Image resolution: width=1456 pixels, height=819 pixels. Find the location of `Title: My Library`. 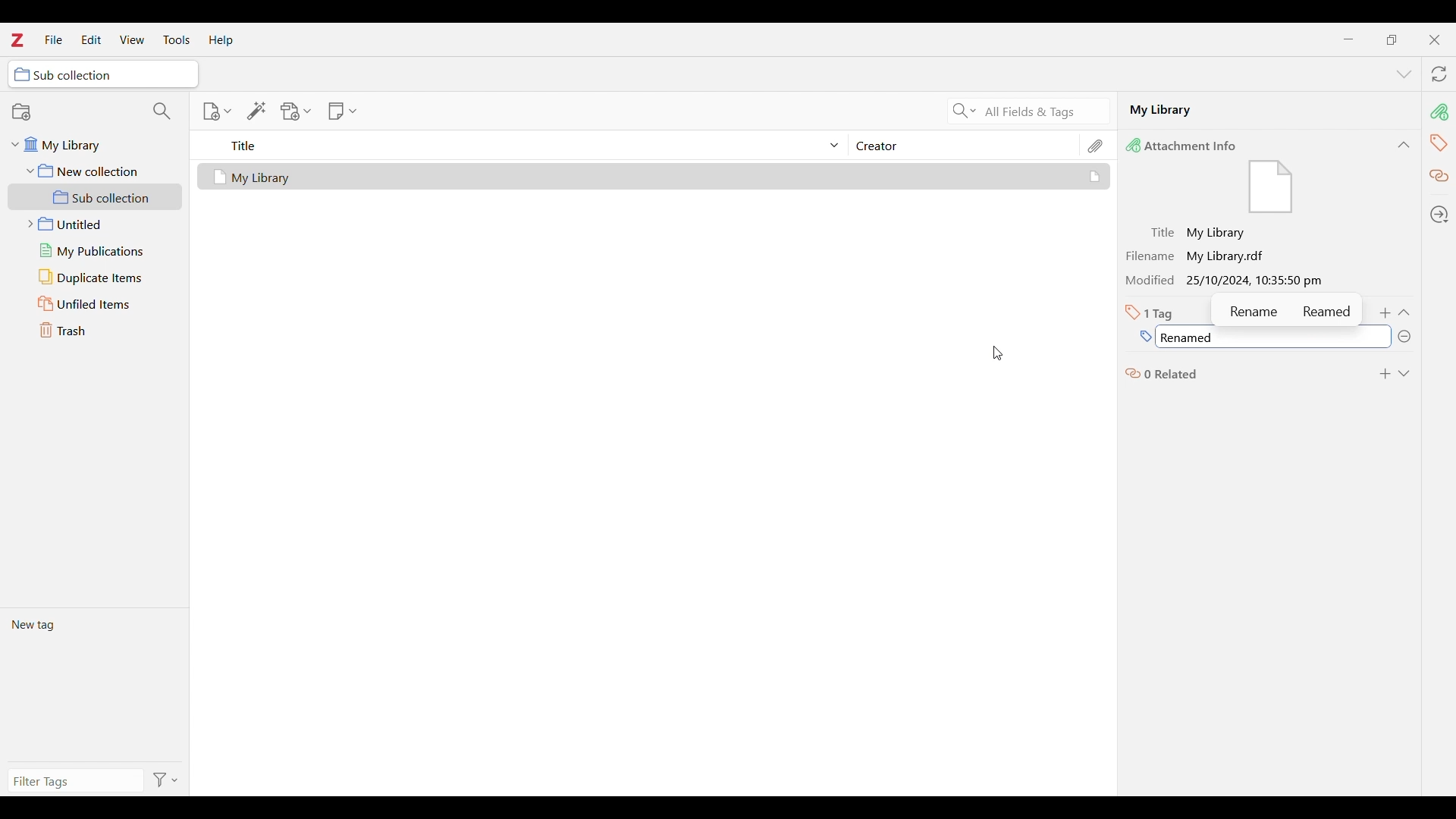

Title: My Library is located at coordinates (1200, 233).